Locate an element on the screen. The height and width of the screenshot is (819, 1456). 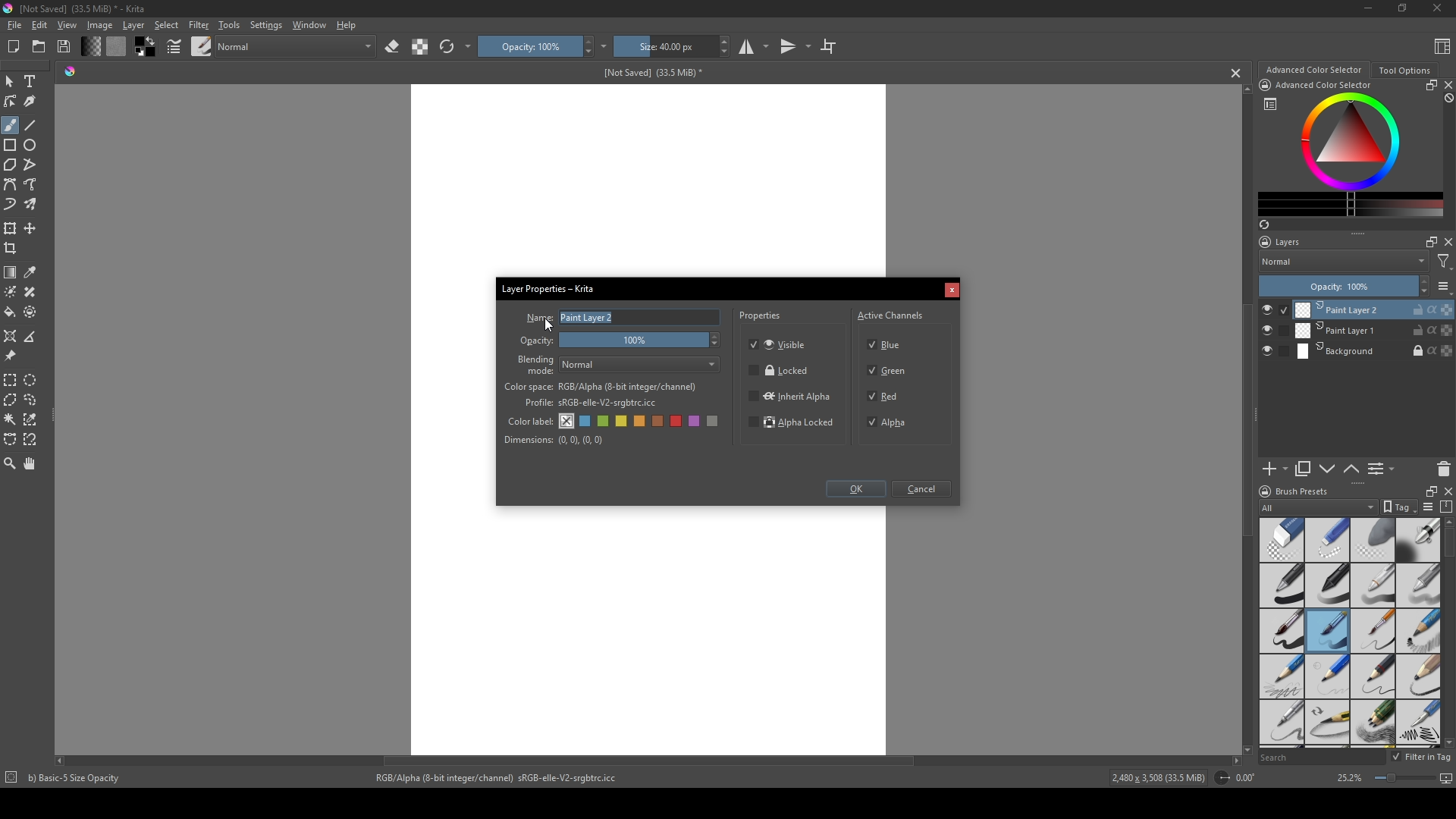
pencil is located at coordinates (1280, 676).